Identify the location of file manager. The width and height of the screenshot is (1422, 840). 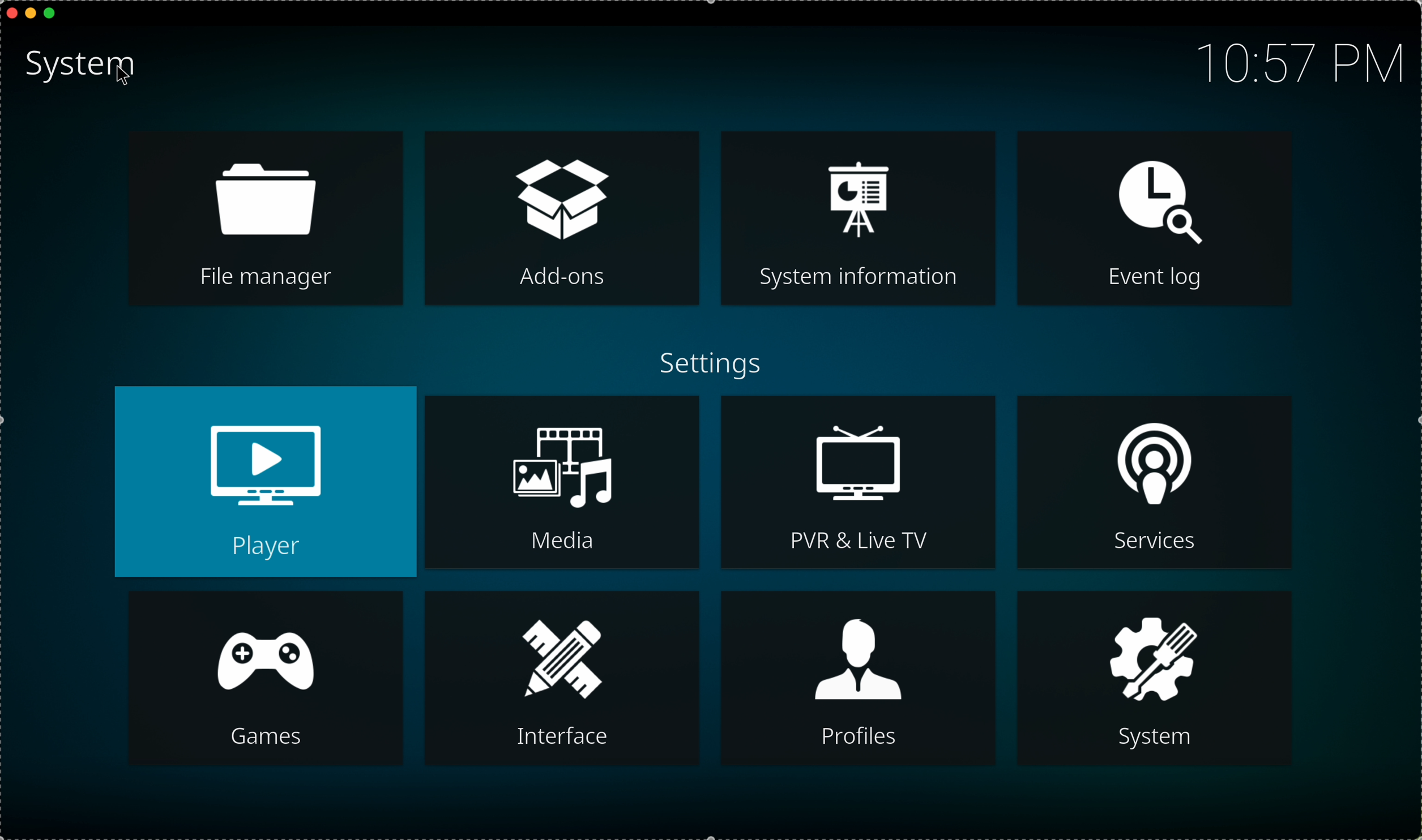
(267, 221).